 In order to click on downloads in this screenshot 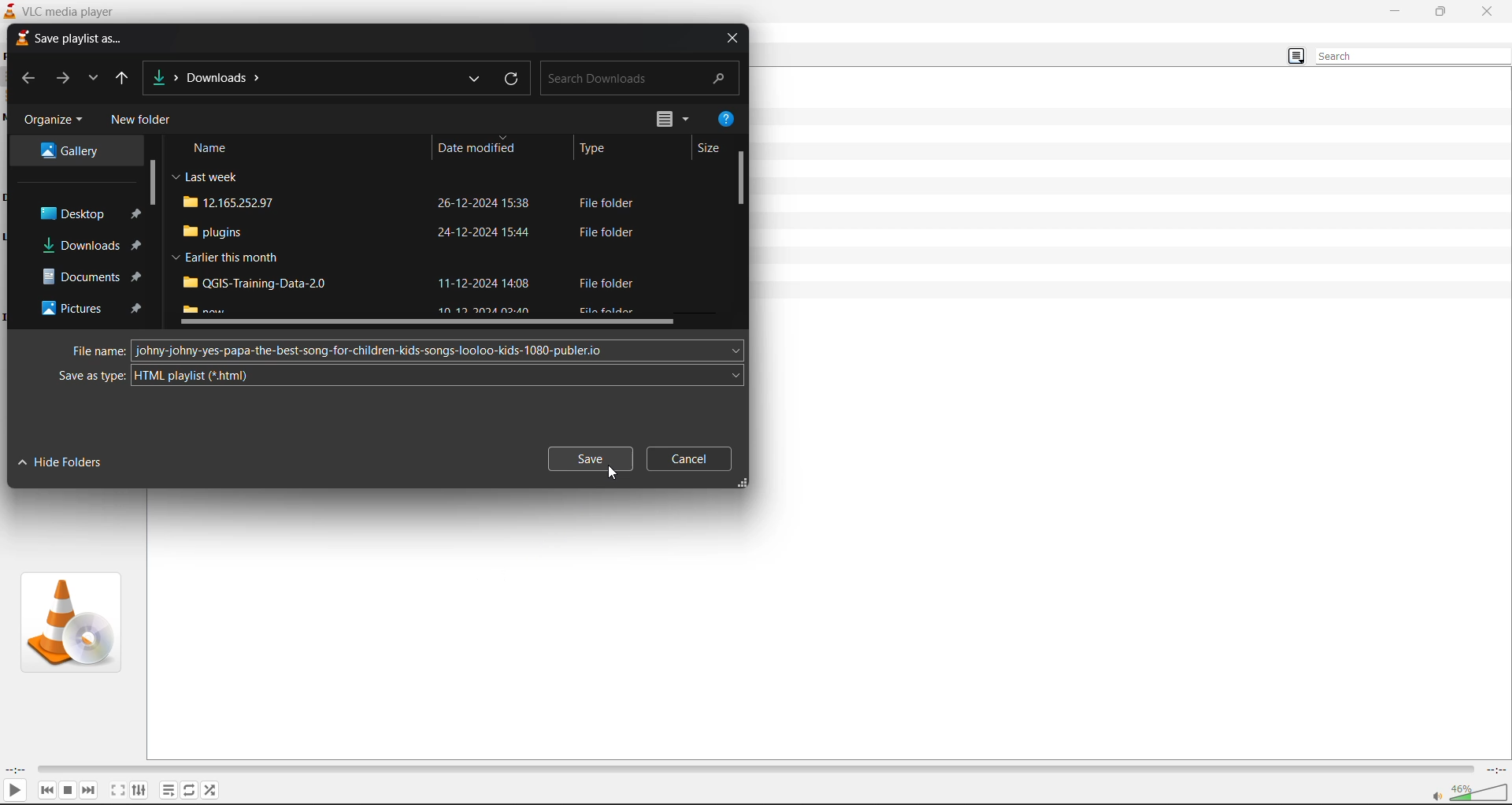, I will do `click(91, 246)`.